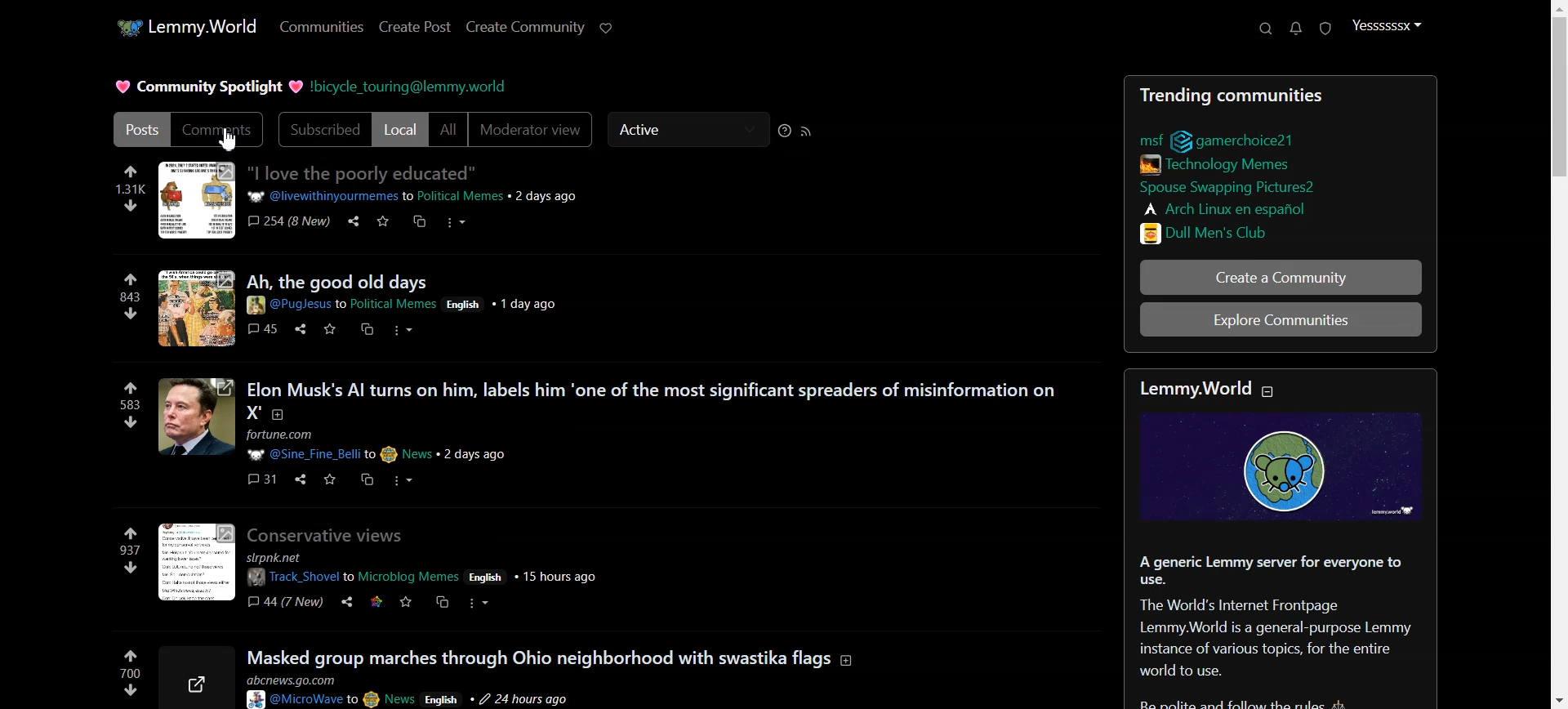 This screenshot has width=1568, height=709. Describe the element at coordinates (340, 282) in the screenshot. I see `post` at that location.